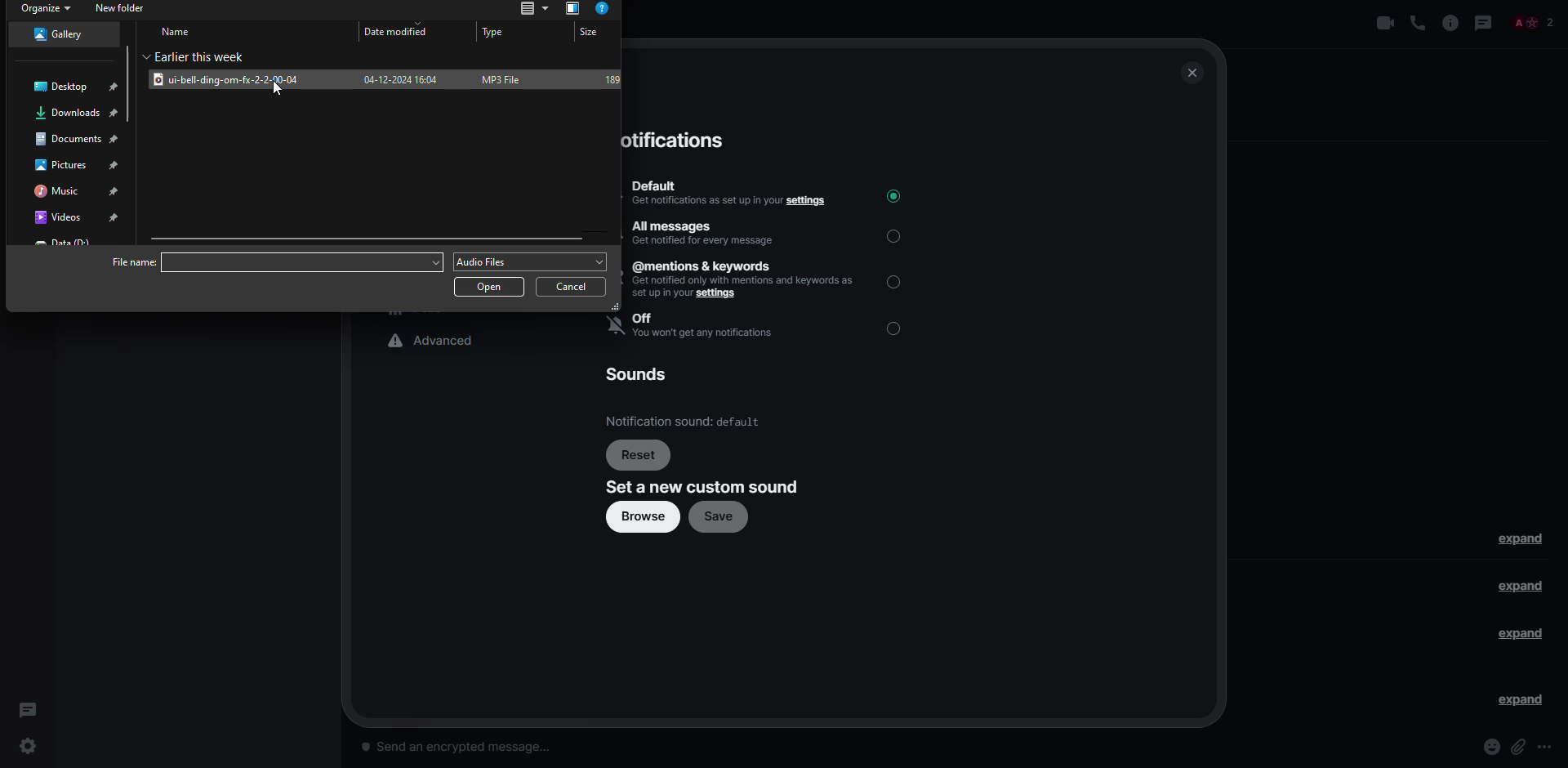 The height and width of the screenshot is (768, 1568). I want to click on Downloads, so click(78, 111).